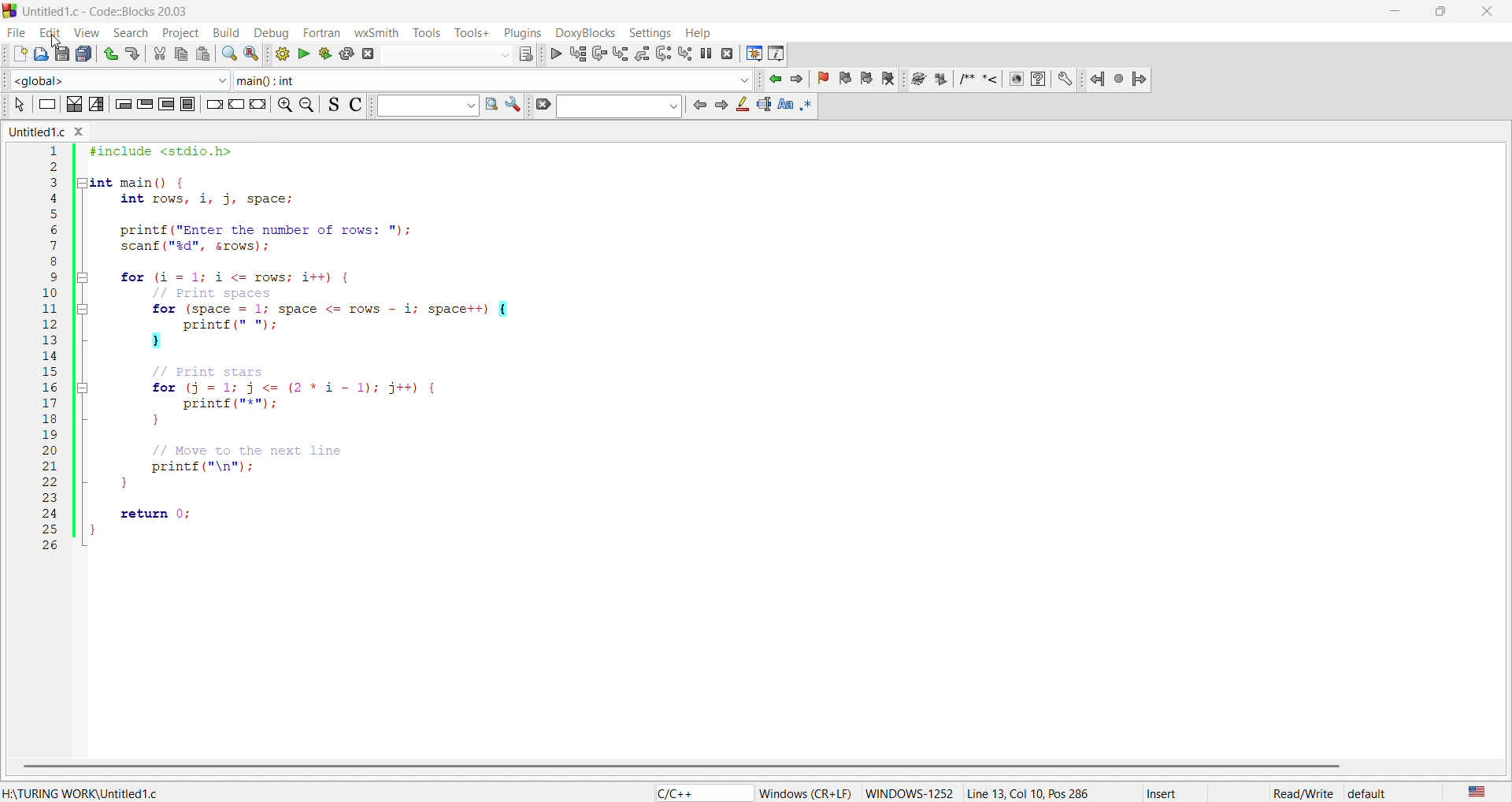 This screenshot has height=802, width=1512. Describe the element at coordinates (1141, 80) in the screenshot. I see `jump forward` at that location.